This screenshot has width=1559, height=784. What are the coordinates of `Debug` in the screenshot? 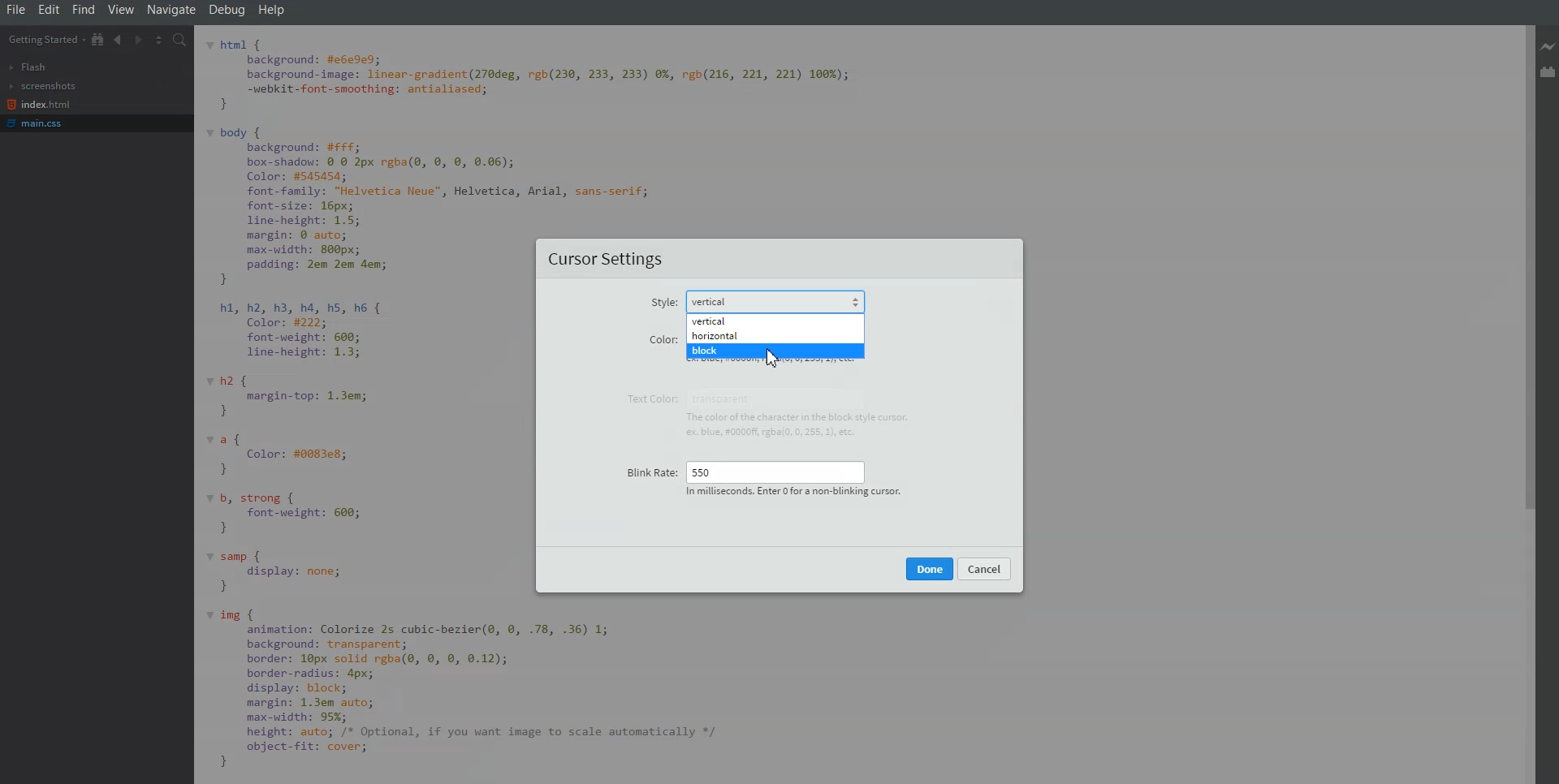 It's located at (228, 10).